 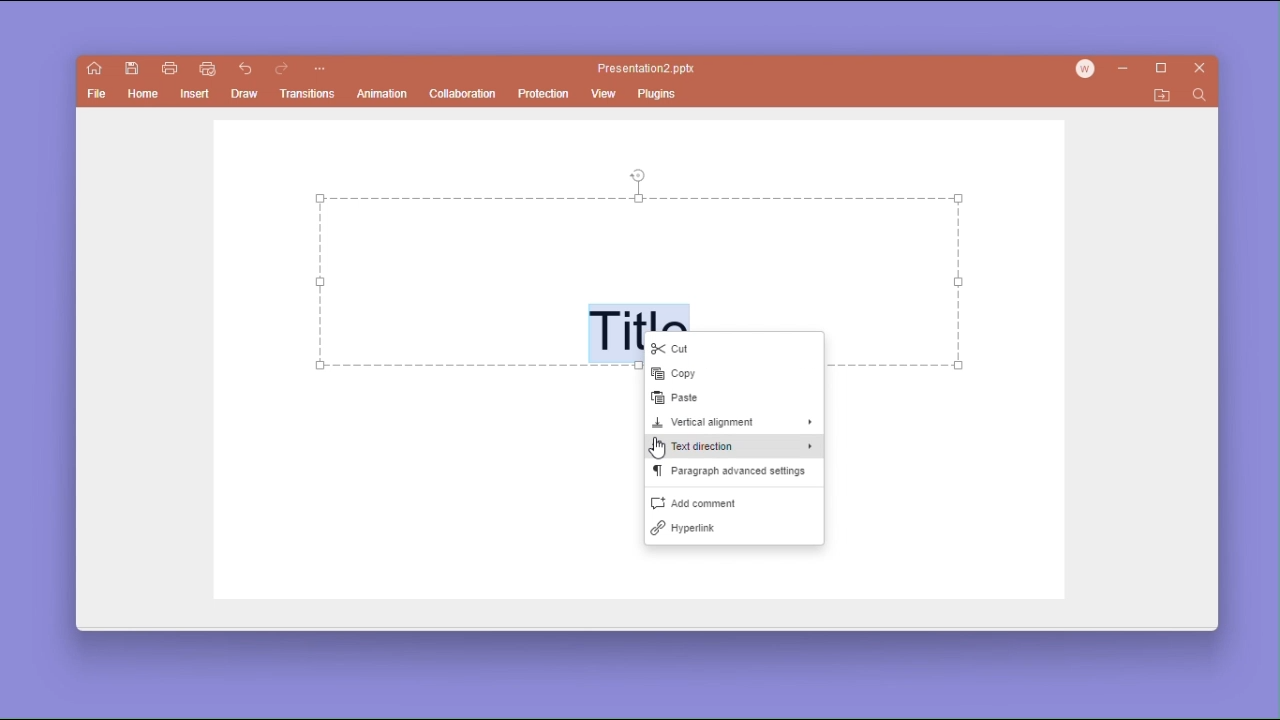 What do you see at coordinates (144, 97) in the screenshot?
I see `home` at bounding box center [144, 97].